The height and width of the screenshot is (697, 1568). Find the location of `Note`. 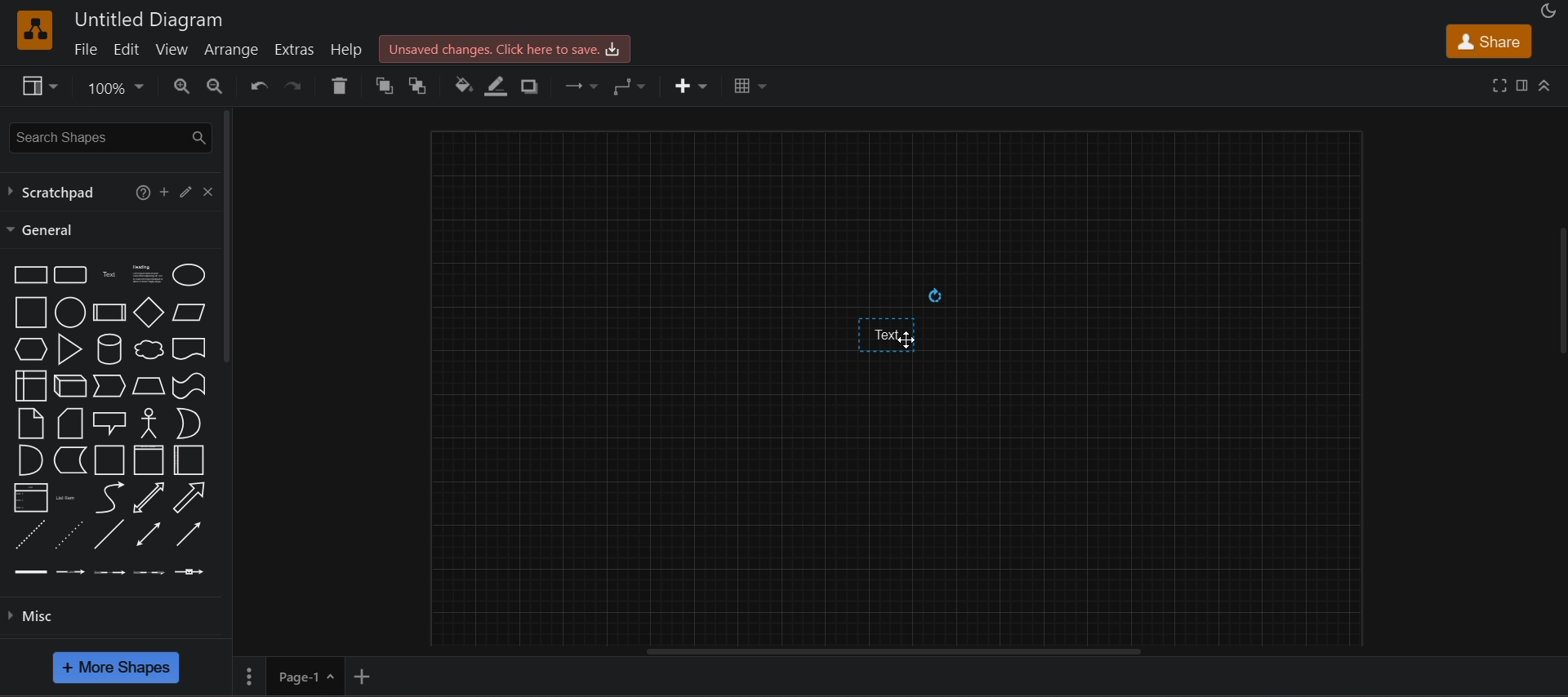

Note is located at coordinates (30, 424).